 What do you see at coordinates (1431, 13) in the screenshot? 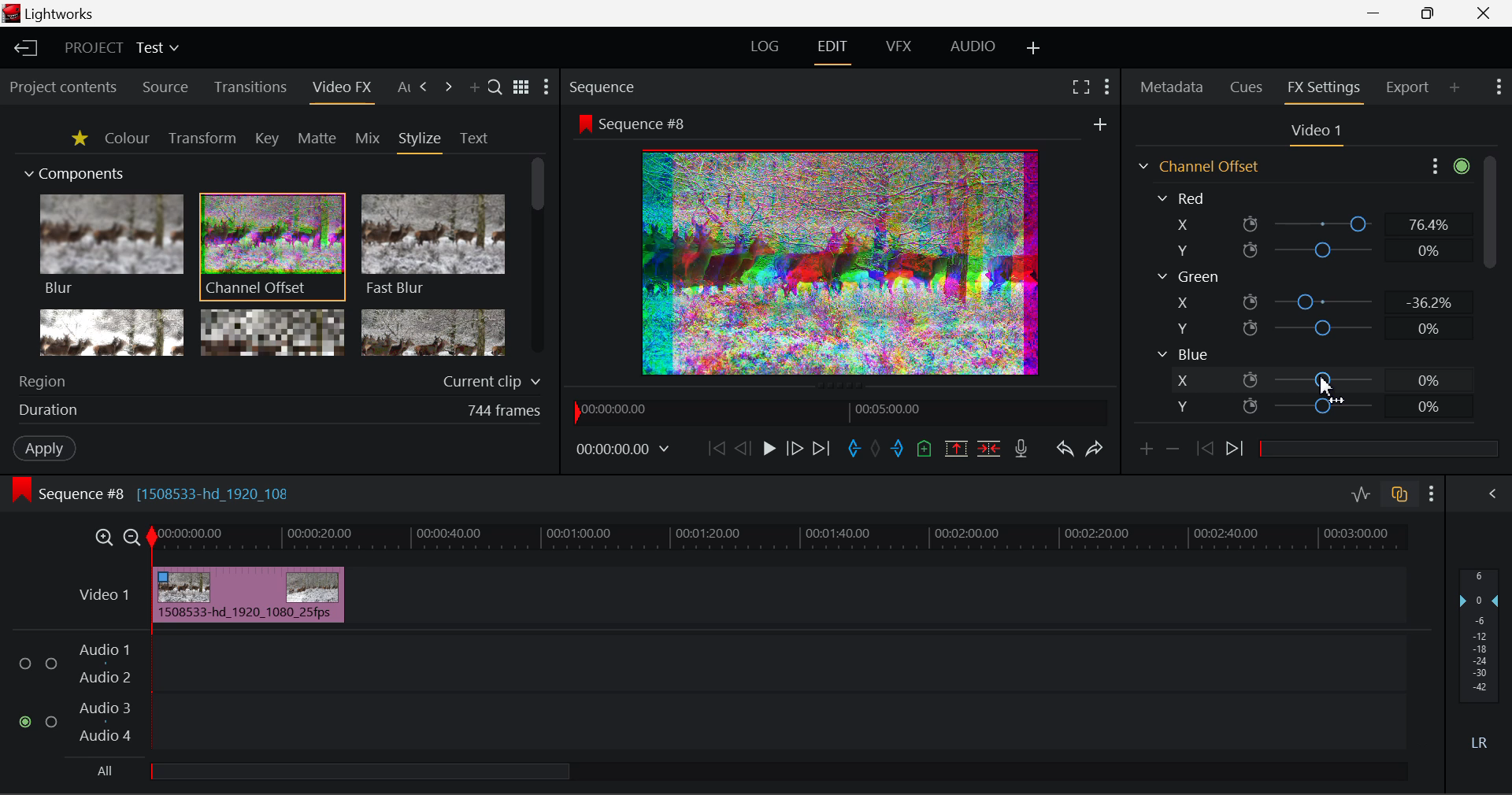
I see `Minimize` at bounding box center [1431, 13].